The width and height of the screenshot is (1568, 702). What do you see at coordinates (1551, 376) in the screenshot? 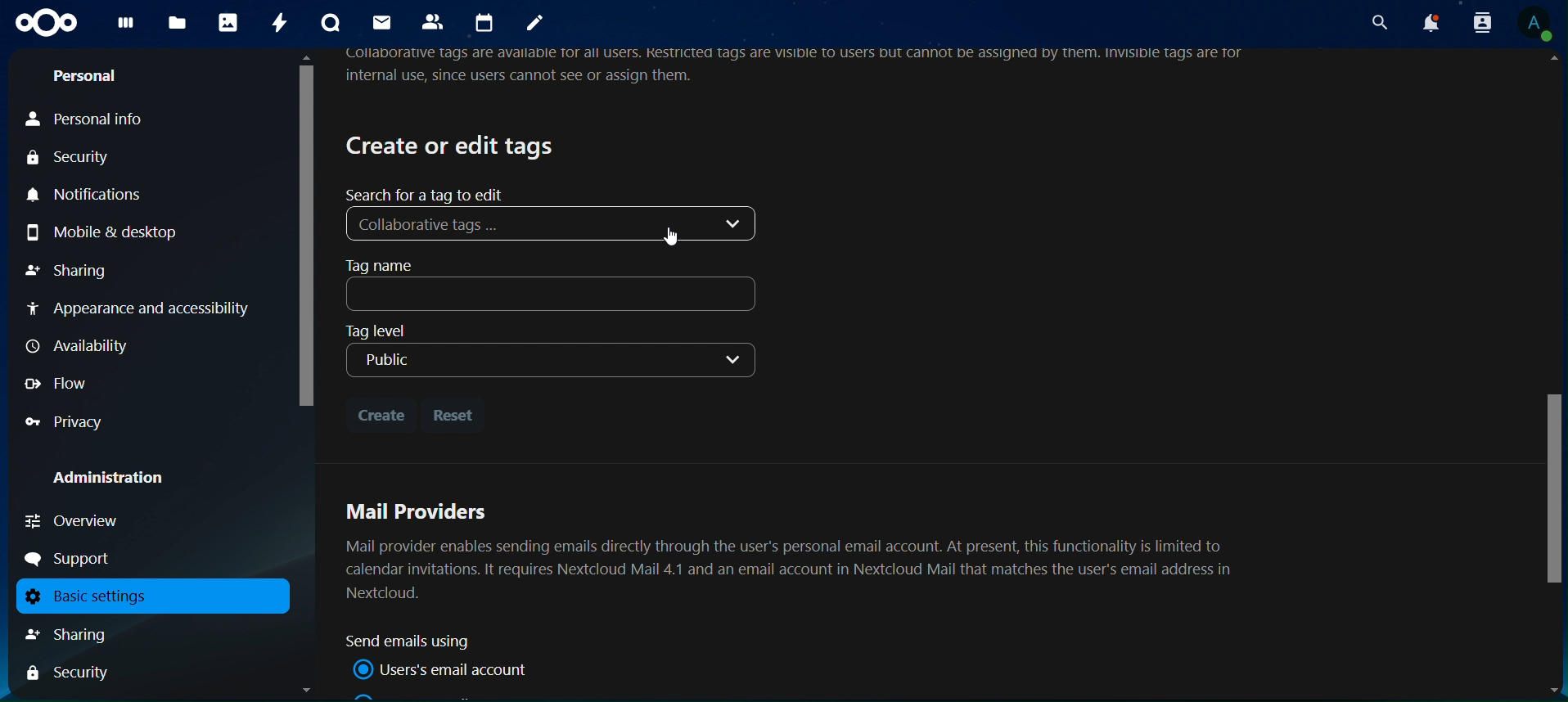
I see `Scrollbar` at bounding box center [1551, 376].